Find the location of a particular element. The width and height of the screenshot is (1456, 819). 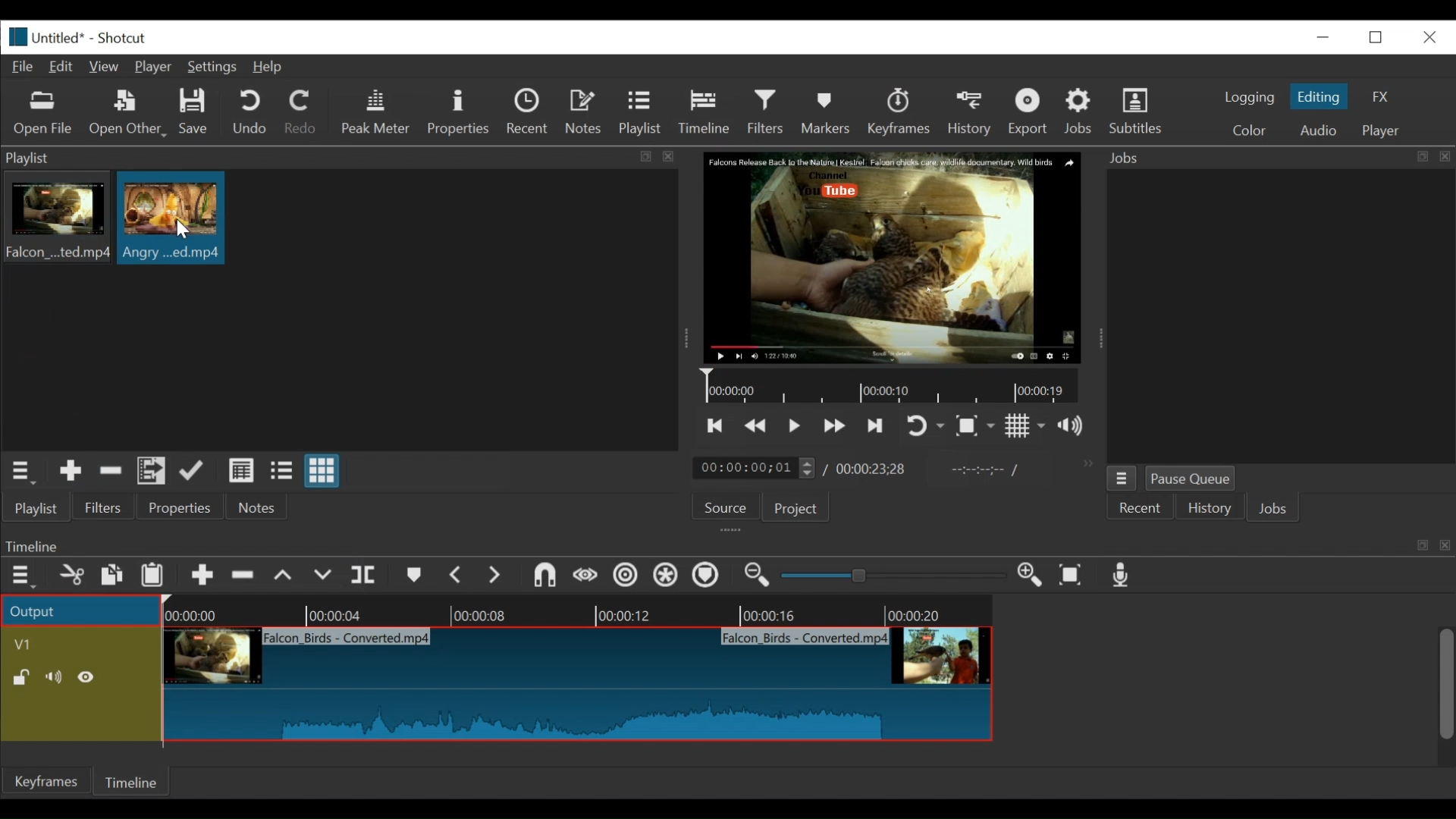

File name is located at coordinates (61, 39).